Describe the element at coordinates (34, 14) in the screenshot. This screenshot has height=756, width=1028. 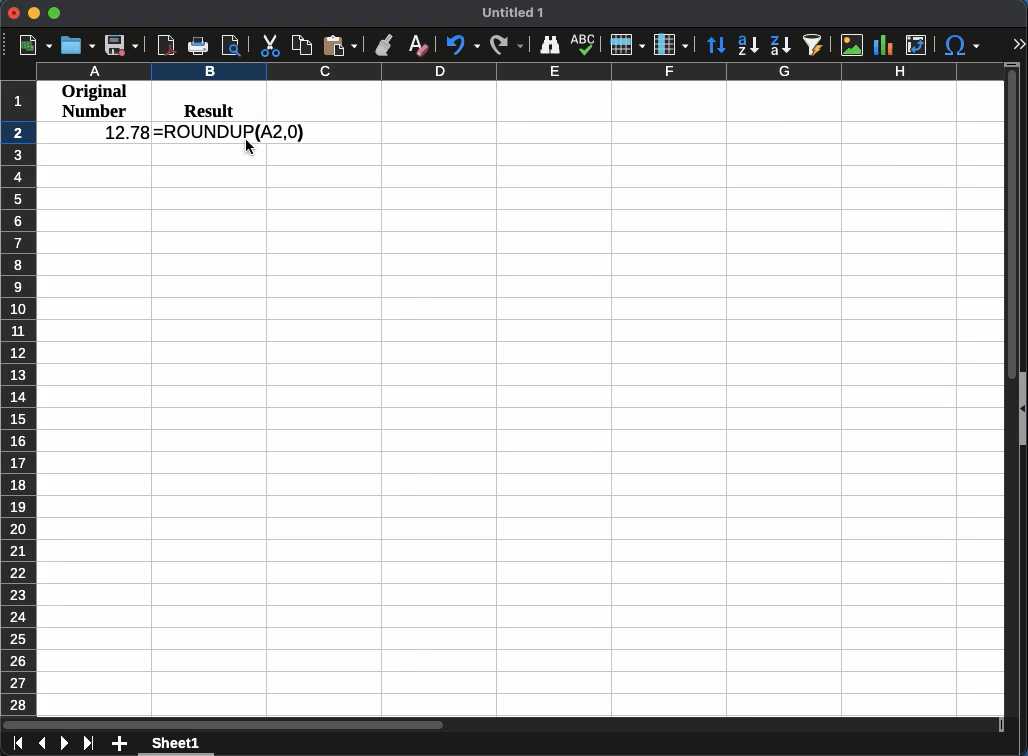
I see `Minimize` at that location.